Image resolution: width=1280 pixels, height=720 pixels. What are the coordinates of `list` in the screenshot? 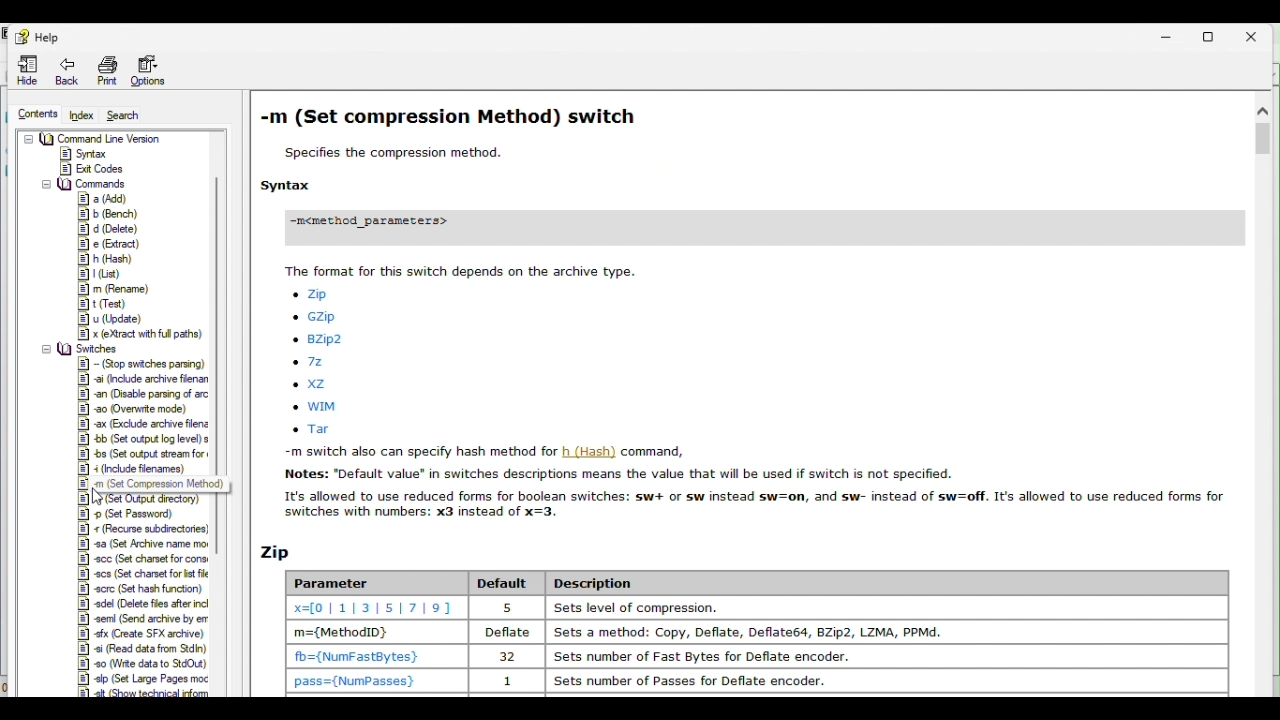 It's located at (106, 272).